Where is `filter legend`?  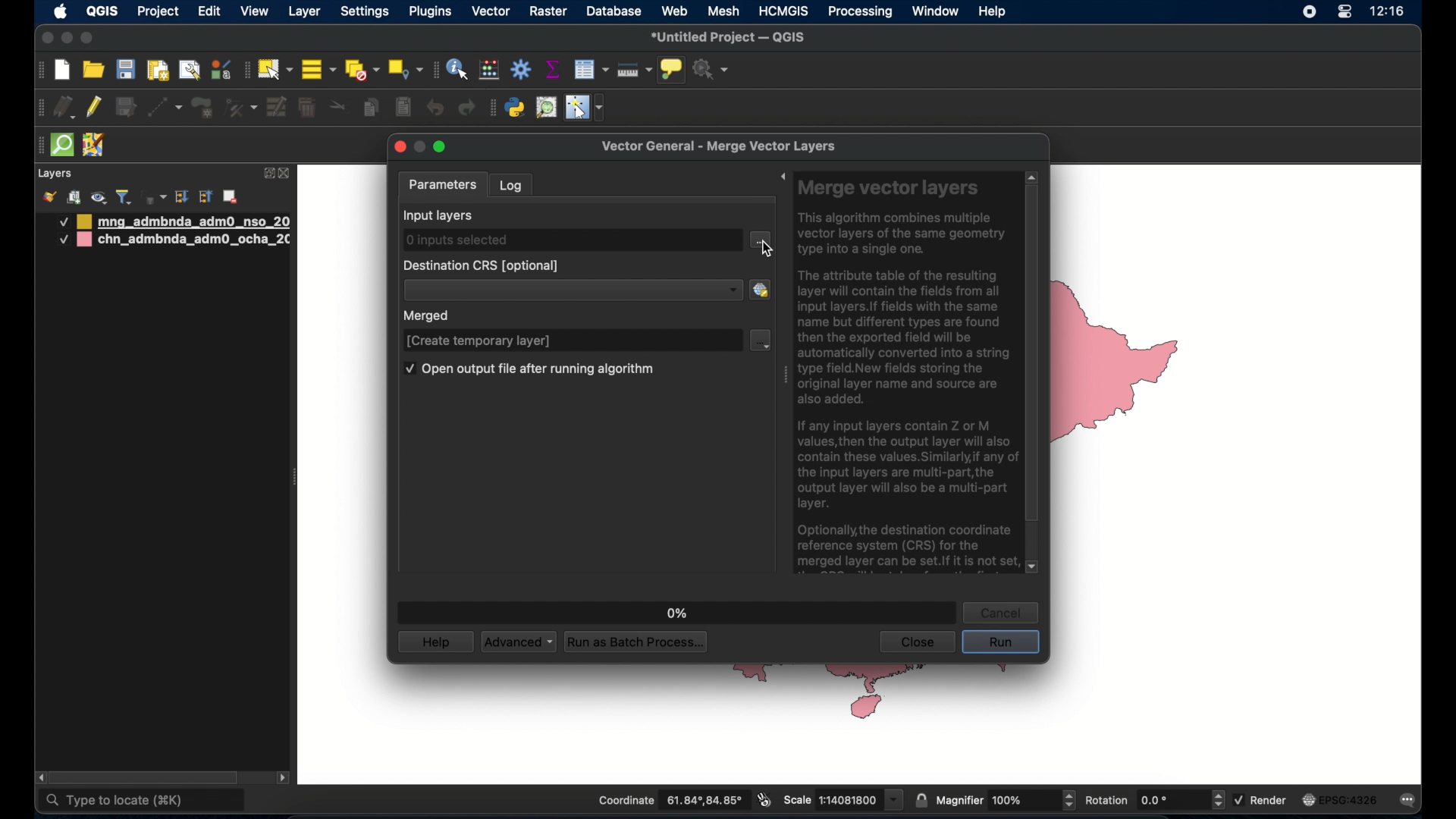
filter legend is located at coordinates (124, 197).